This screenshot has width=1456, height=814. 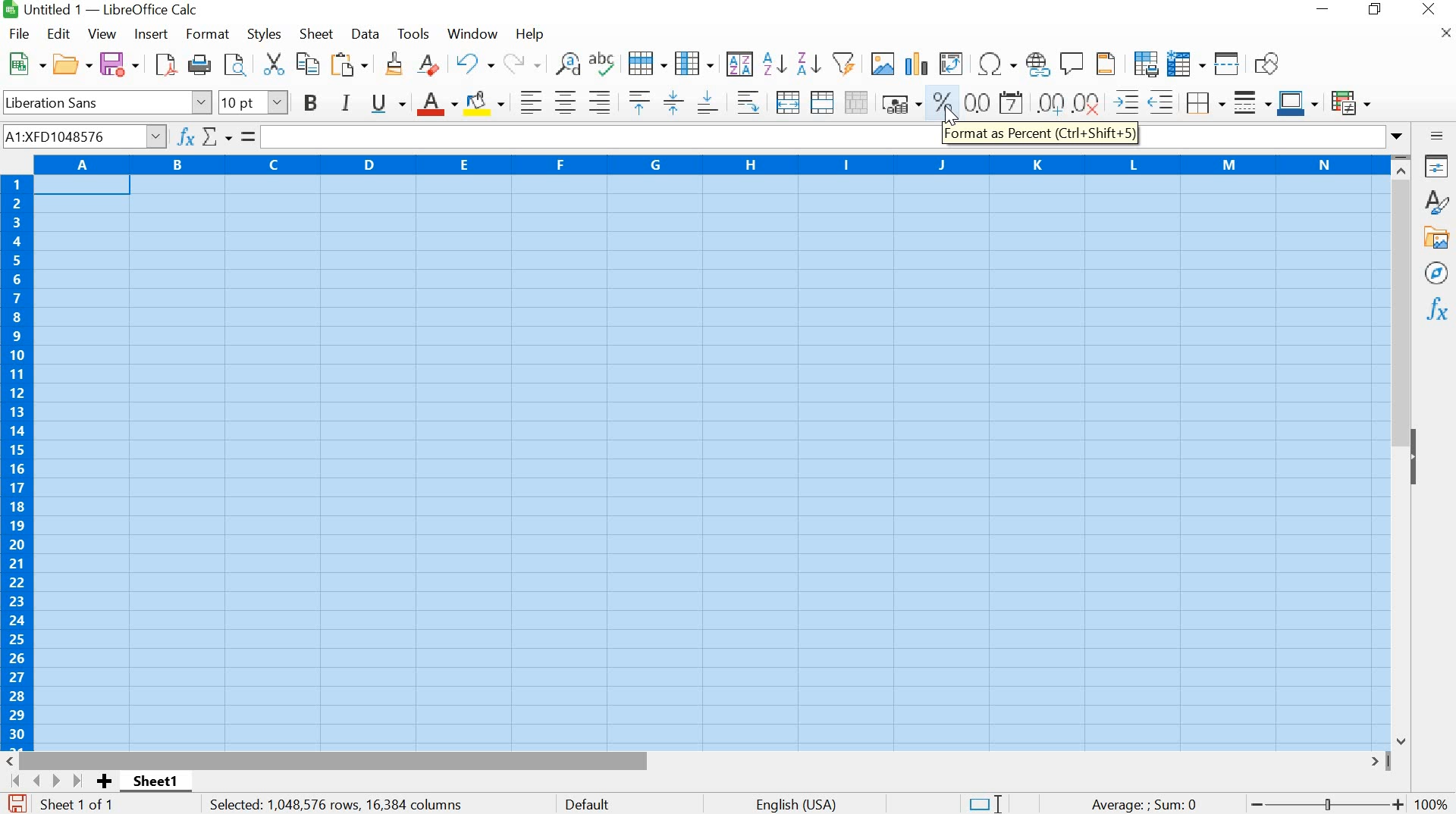 What do you see at coordinates (600, 102) in the screenshot?
I see `Align Right` at bounding box center [600, 102].